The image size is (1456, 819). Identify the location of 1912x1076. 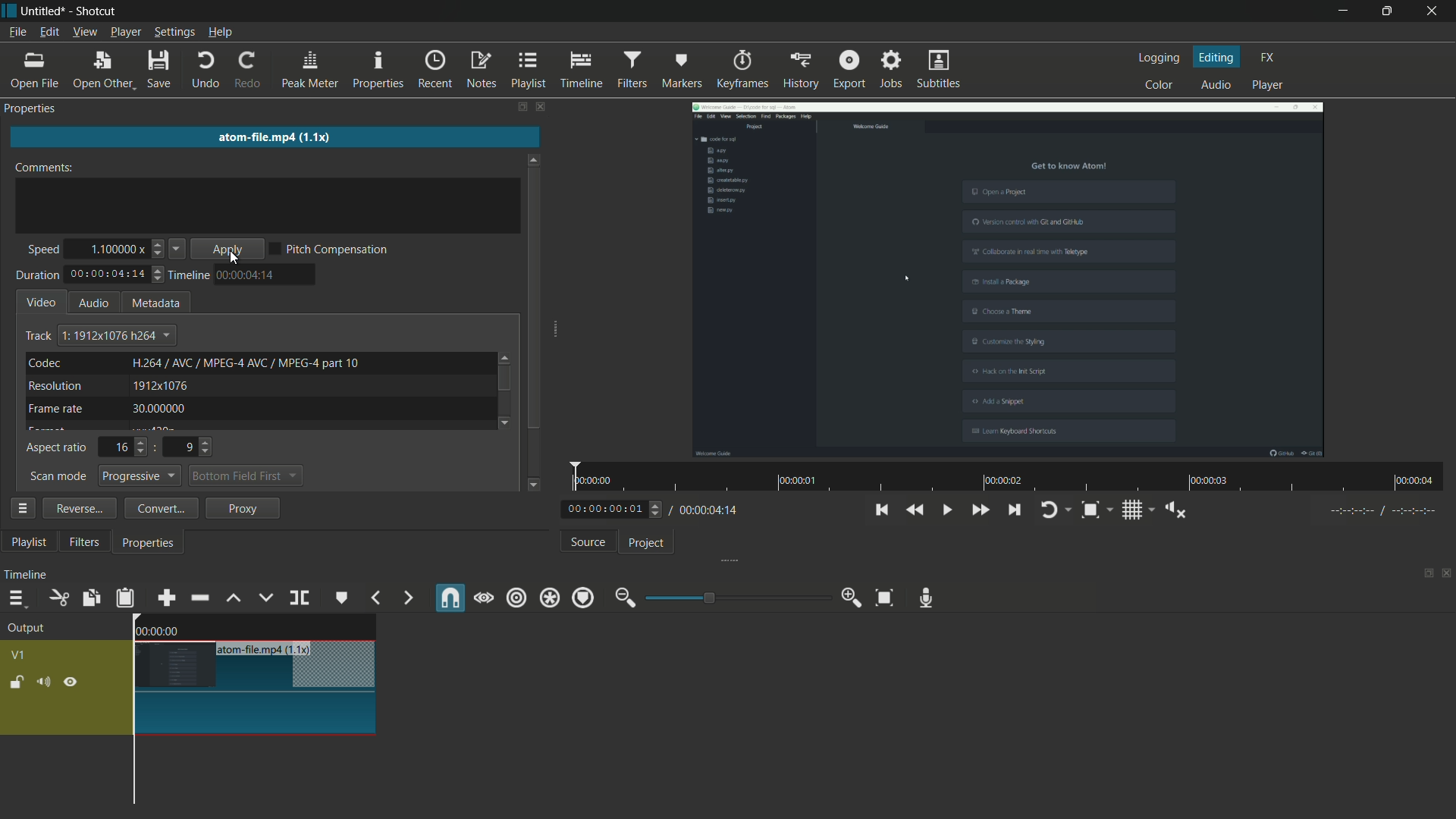
(161, 387).